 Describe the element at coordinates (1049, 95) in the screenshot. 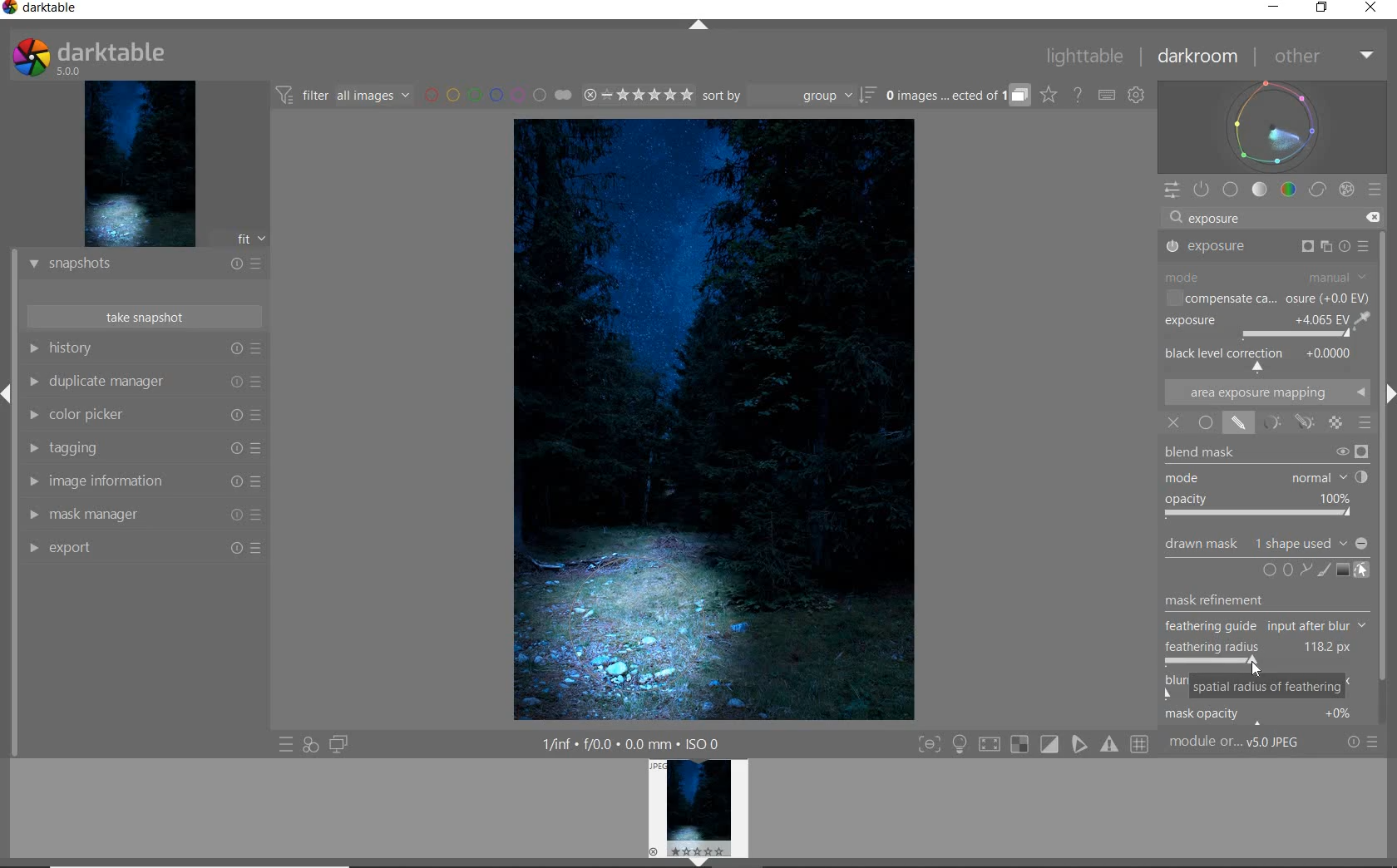

I see `CLICK TO CHANGE THE OVERLAYS SHOWN ON THUMBNAILS` at that location.